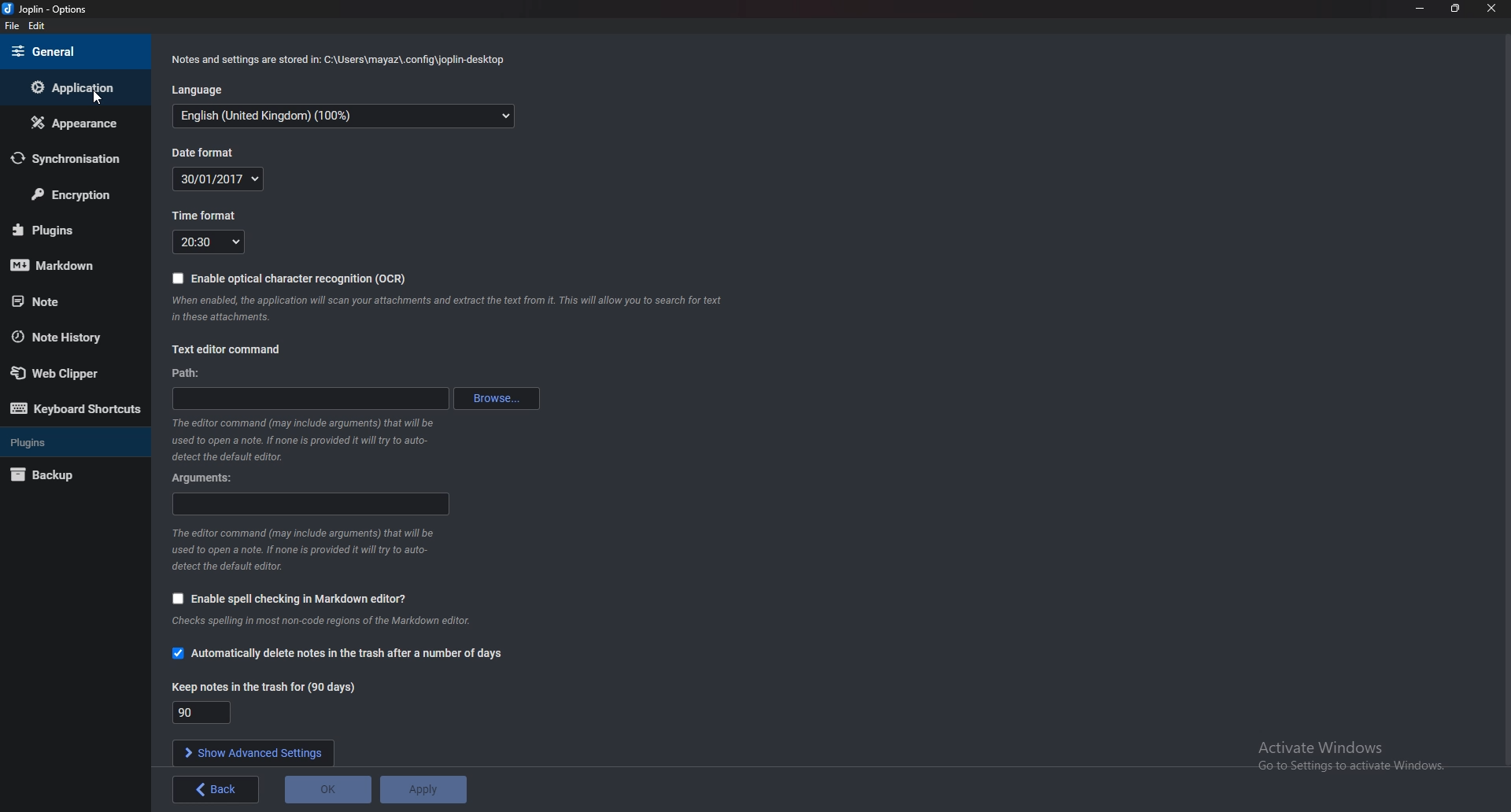 Image resolution: width=1511 pixels, height=812 pixels. I want to click on Note history, so click(71, 336).